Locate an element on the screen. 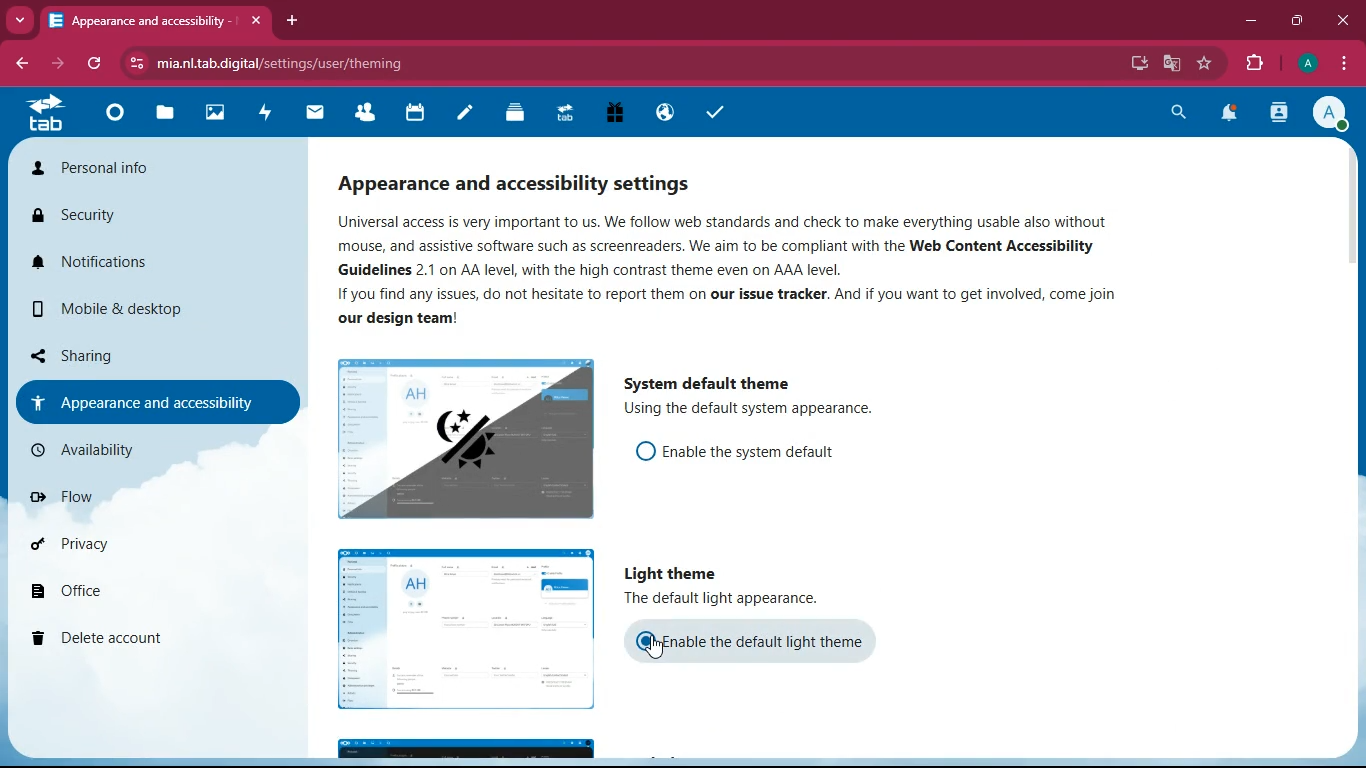 The height and width of the screenshot is (768, 1366). close tab is located at coordinates (259, 21).